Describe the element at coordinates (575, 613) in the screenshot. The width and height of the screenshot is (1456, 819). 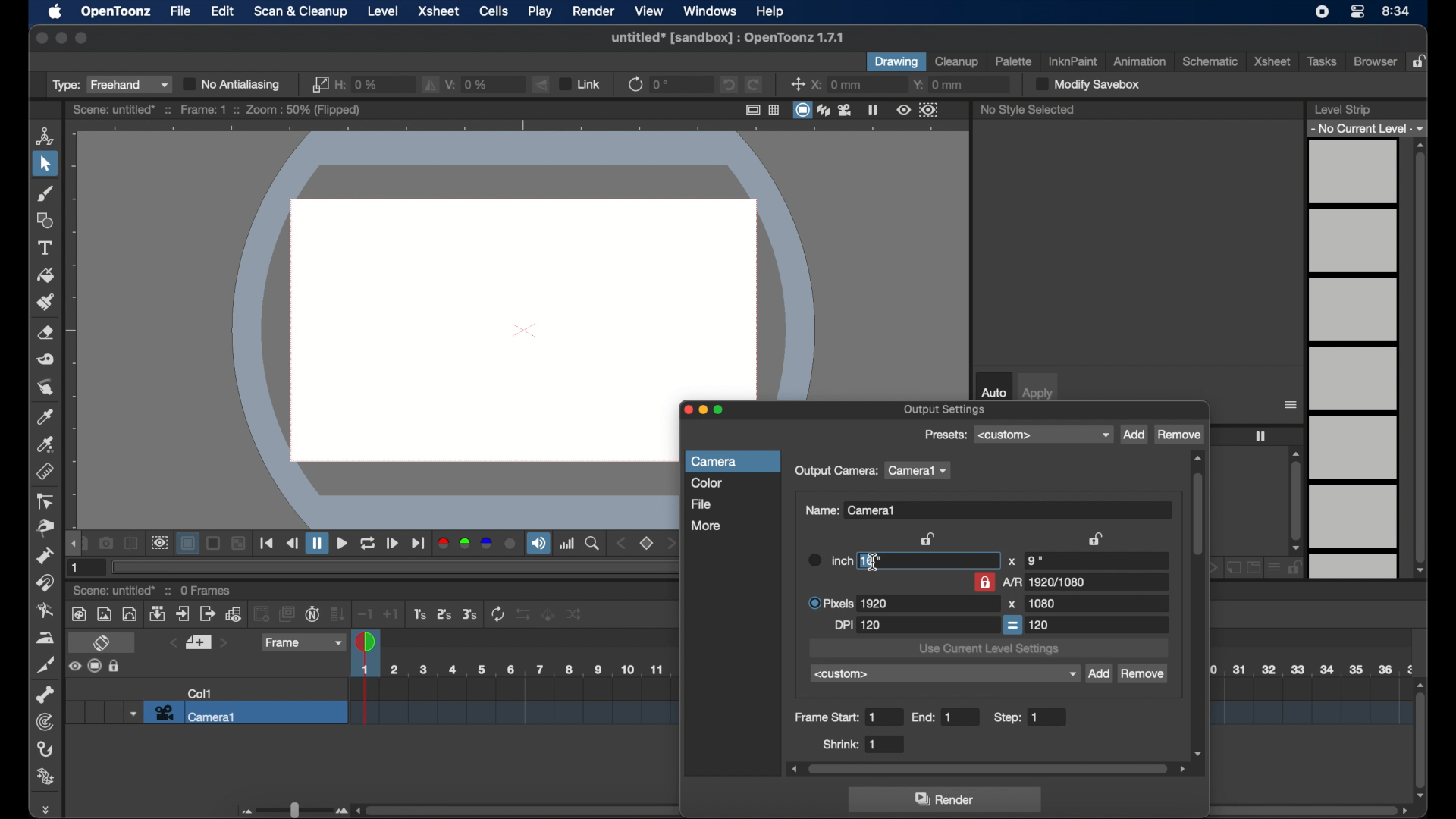
I see `` at that location.